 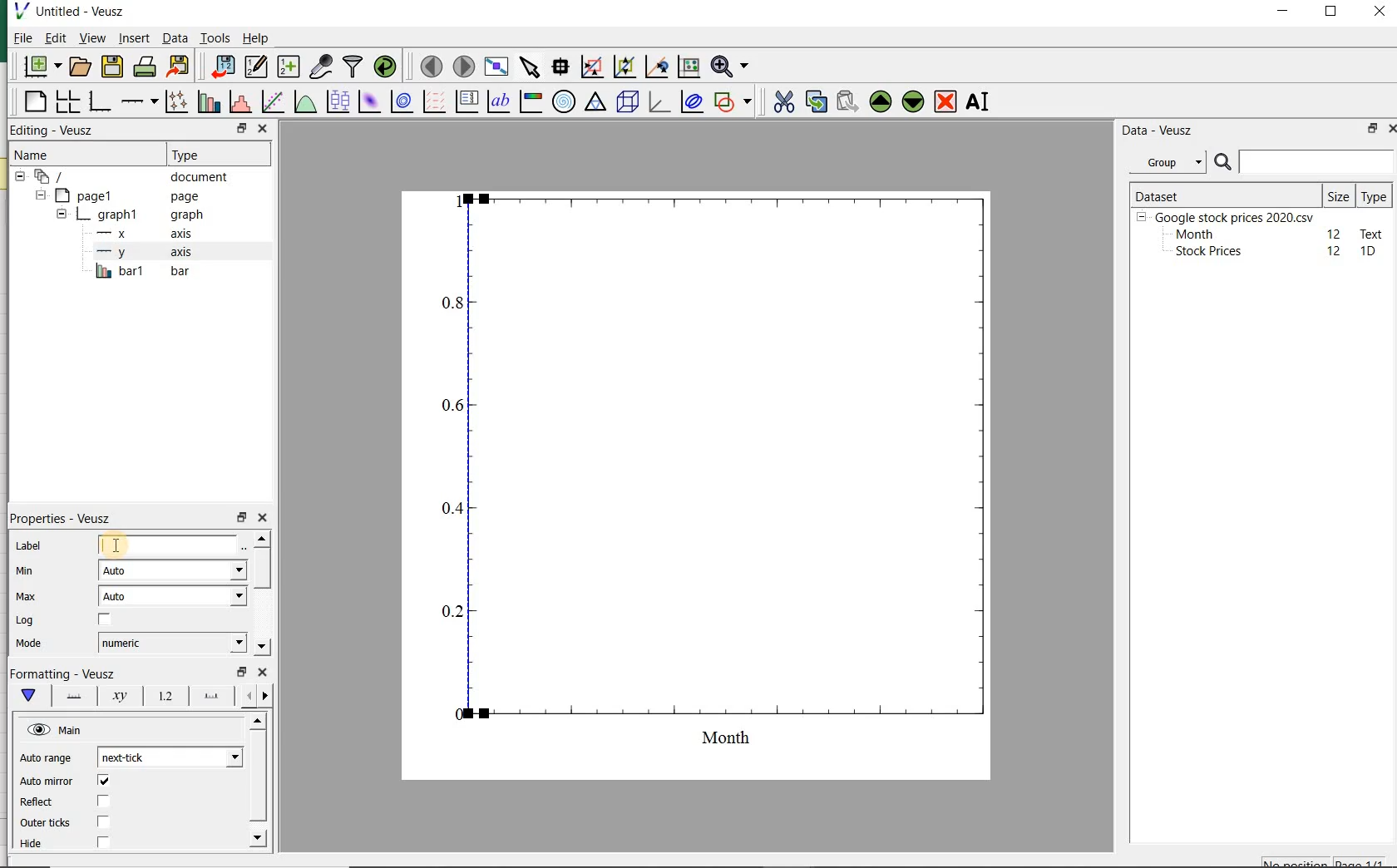 What do you see at coordinates (112, 542) in the screenshot?
I see `cursor` at bounding box center [112, 542].